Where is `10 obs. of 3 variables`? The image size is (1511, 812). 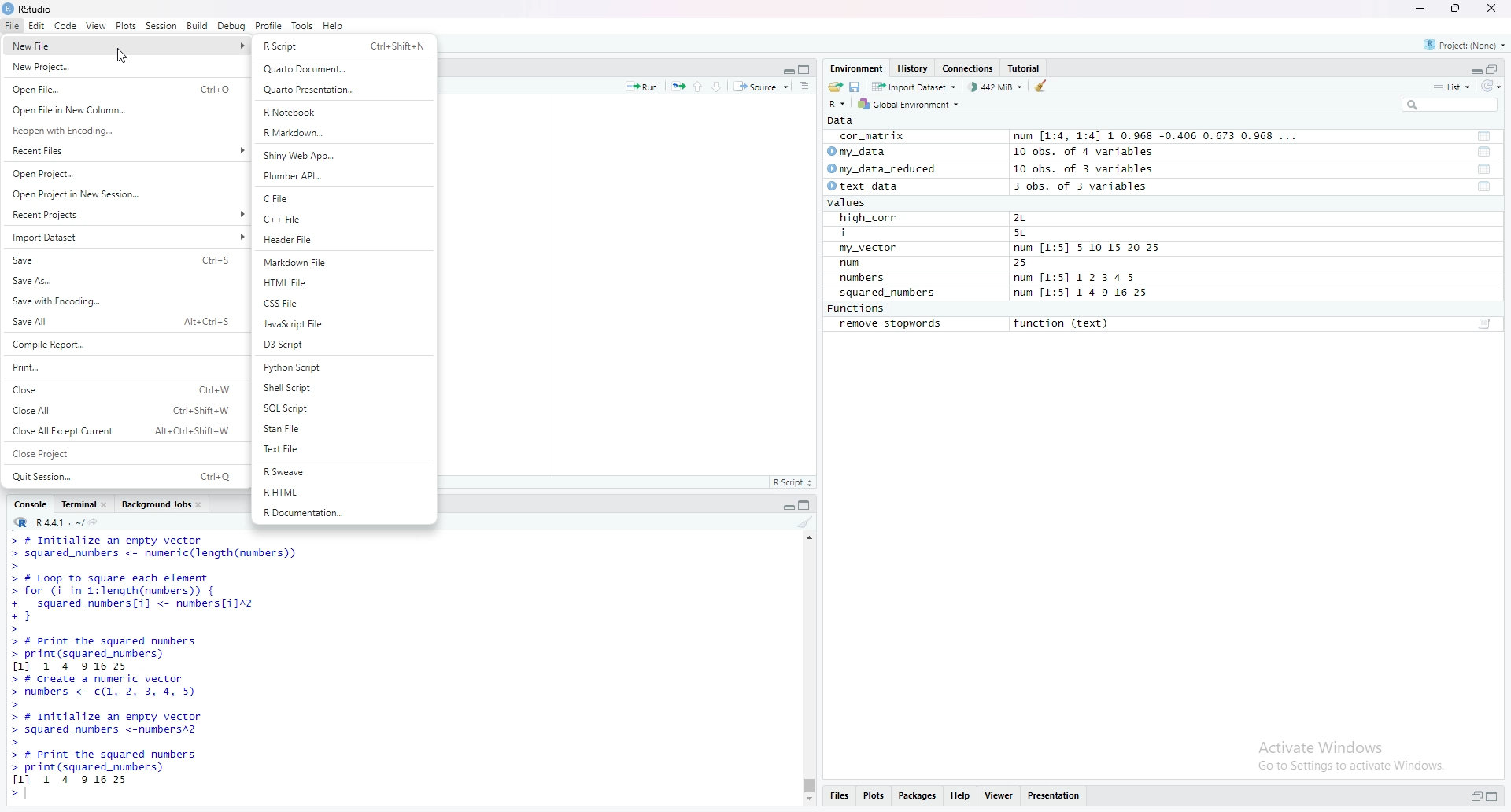 10 obs. of 3 variables is located at coordinates (1098, 168).